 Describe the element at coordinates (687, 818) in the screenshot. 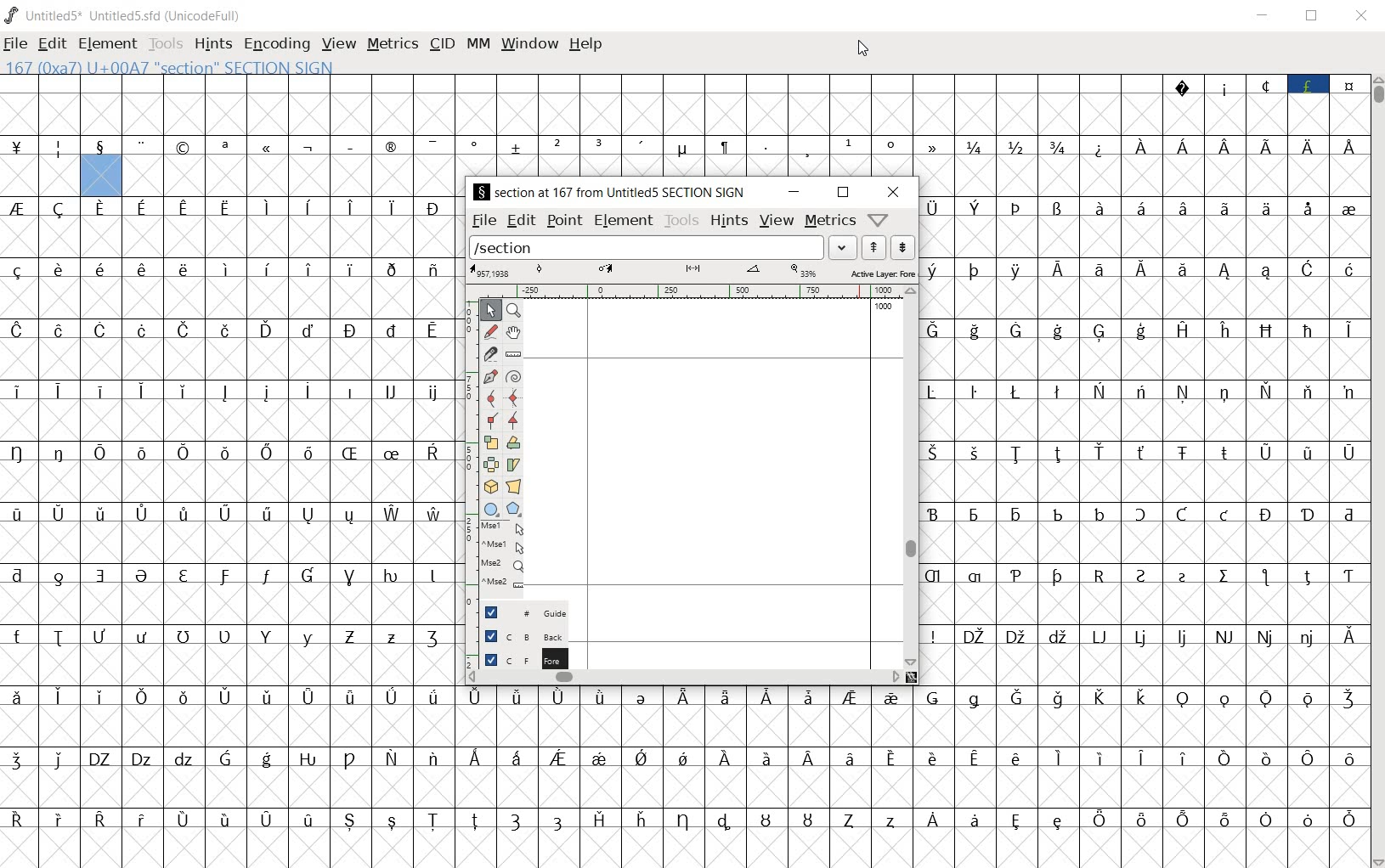

I see `special letters` at that location.